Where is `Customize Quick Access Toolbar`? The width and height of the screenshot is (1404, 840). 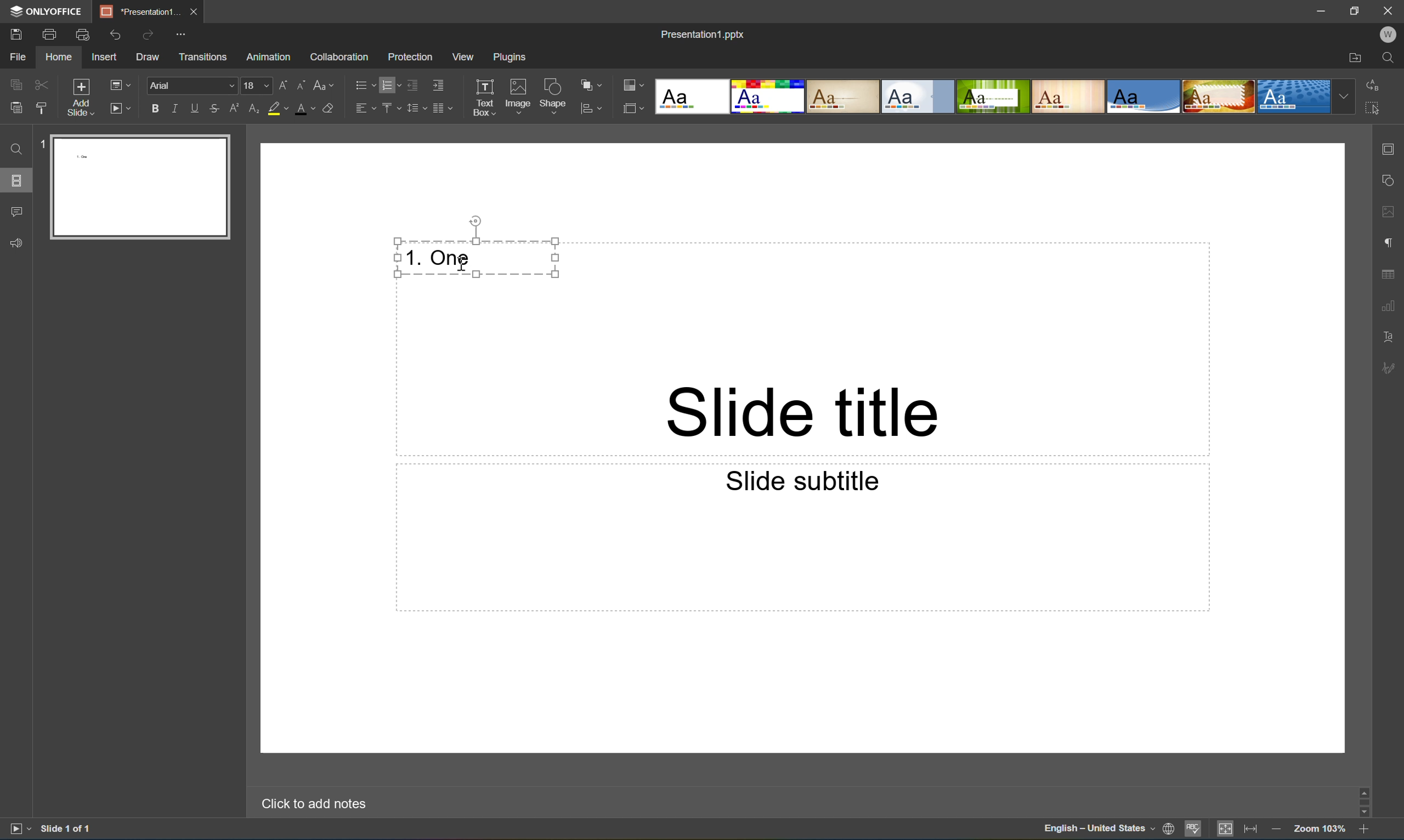 Customize Quick Access Toolbar is located at coordinates (181, 35).